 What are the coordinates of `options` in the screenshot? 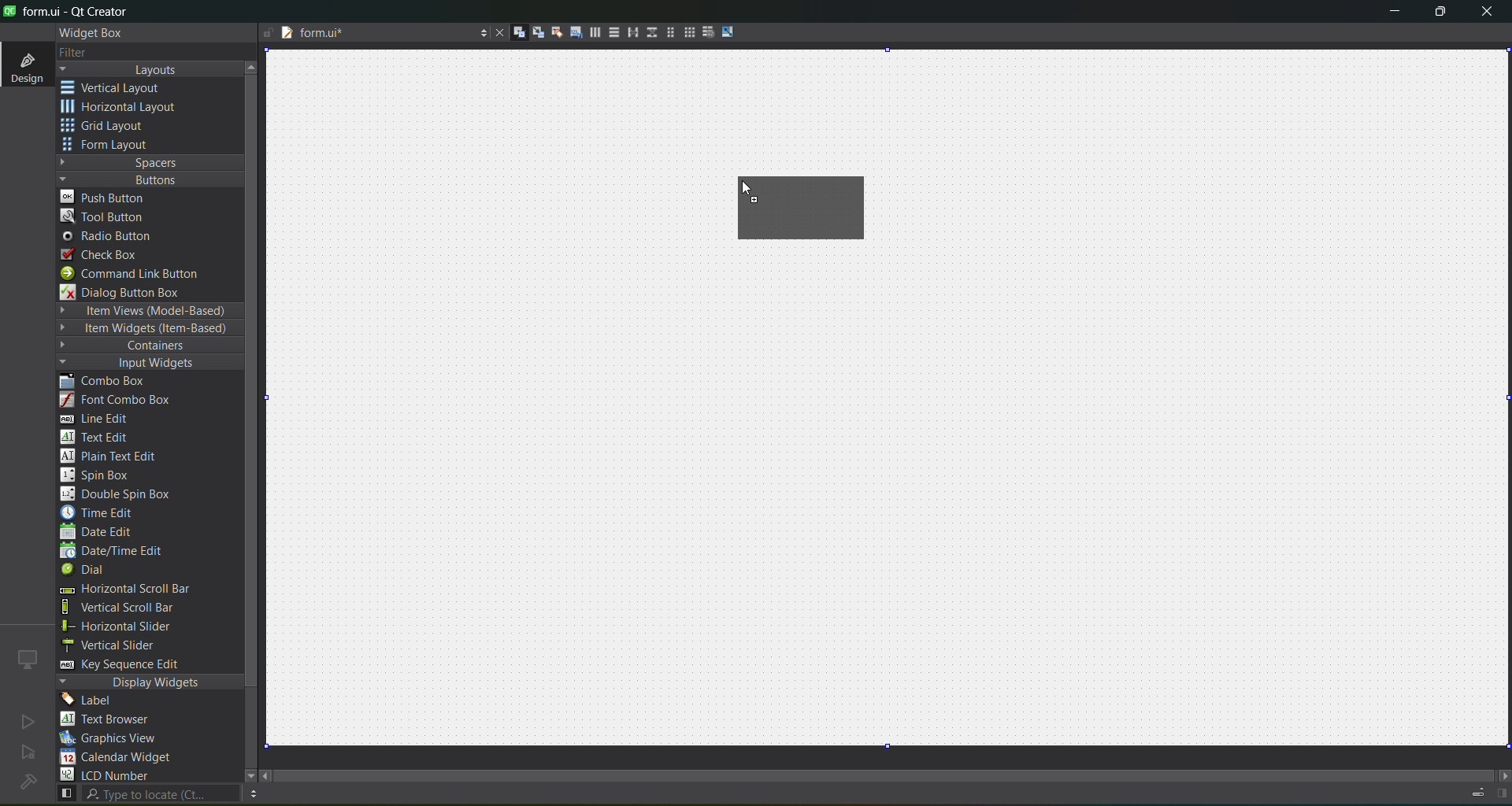 It's located at (479, 35).